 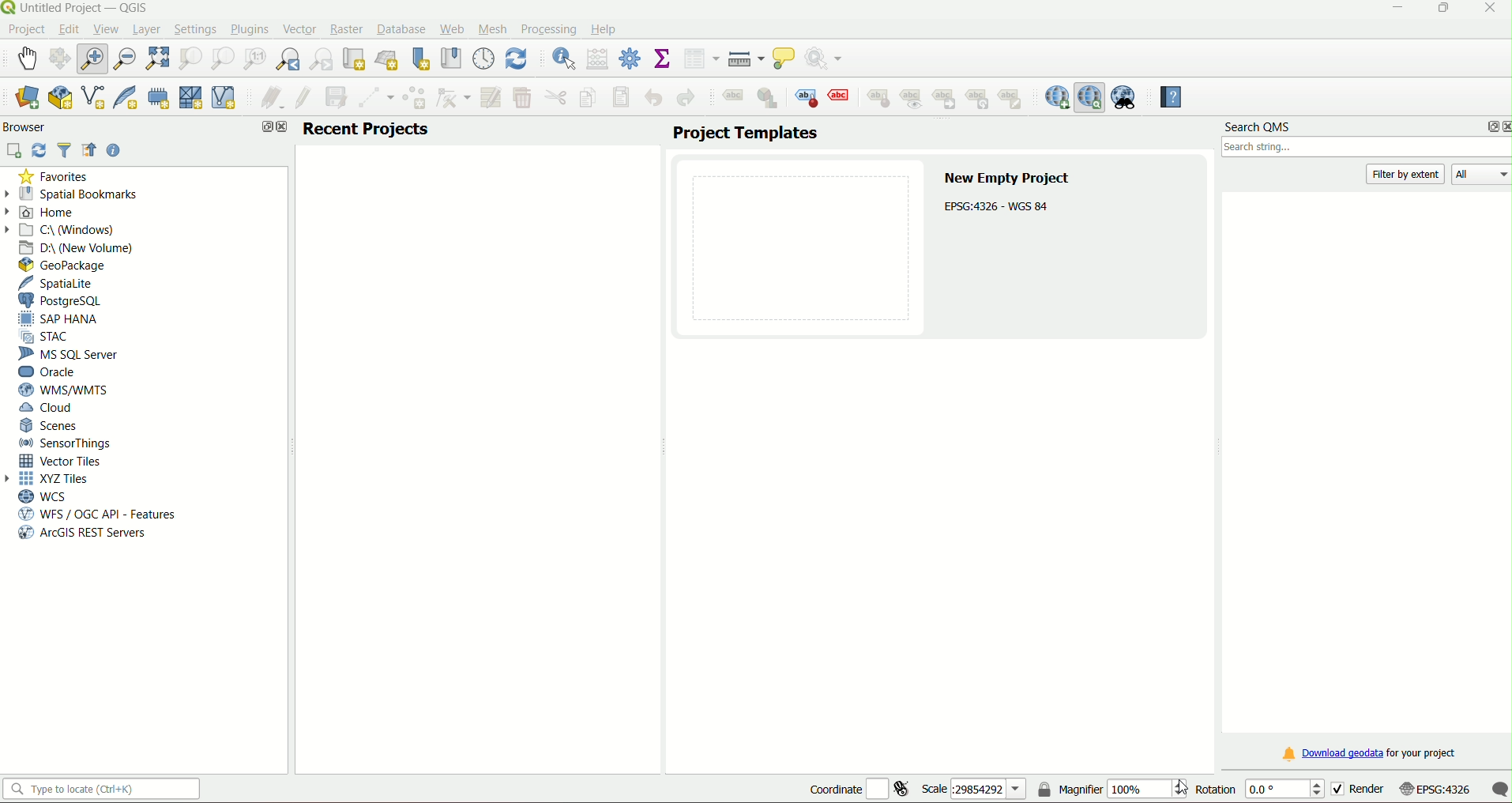 What do you see at coordinates (377, 99) in the screenshot?
I see `digitized with   ` at bounding box center [377, 99].